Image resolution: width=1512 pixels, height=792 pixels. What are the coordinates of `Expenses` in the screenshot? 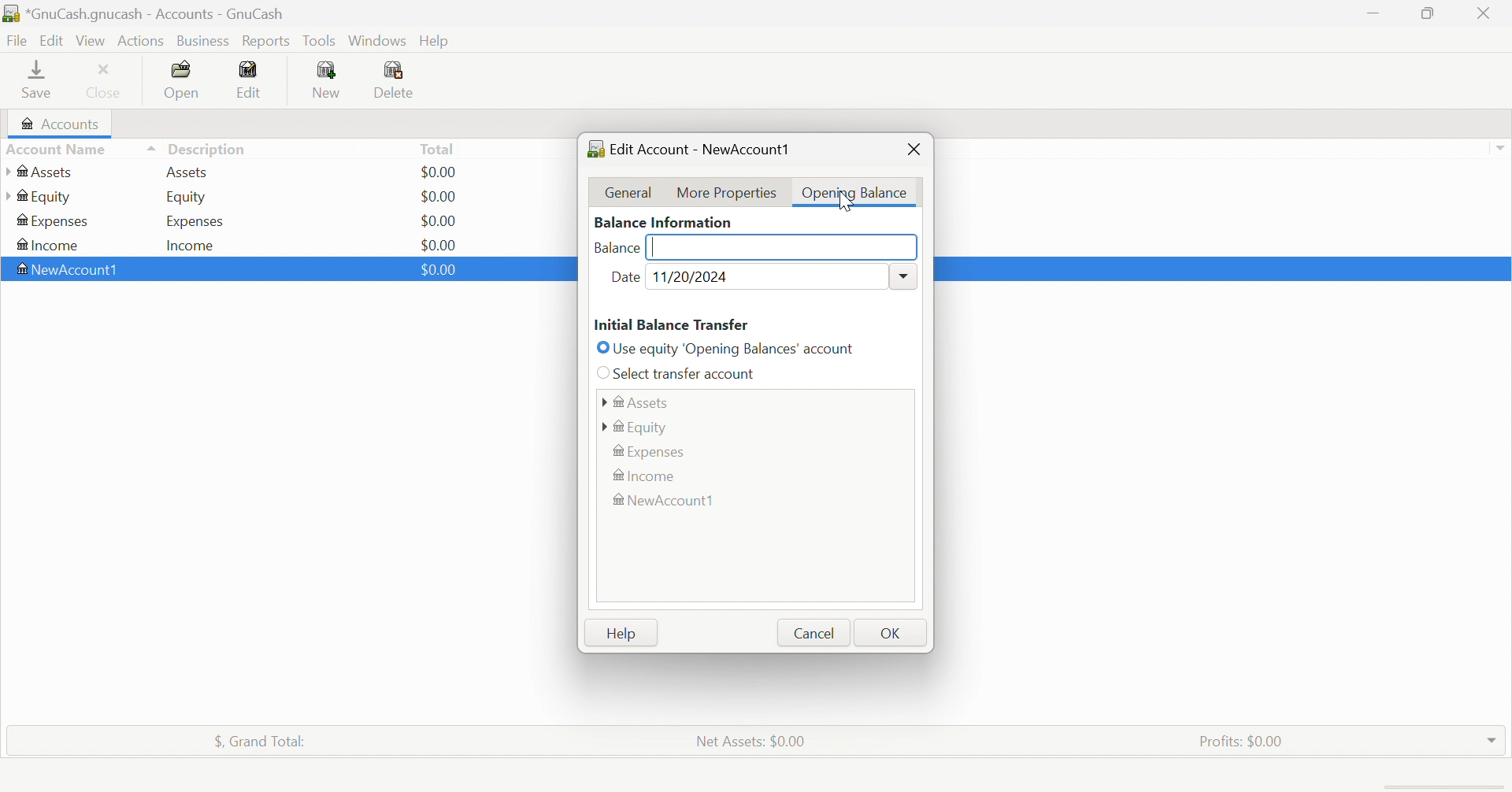 It's located at (653, 450).